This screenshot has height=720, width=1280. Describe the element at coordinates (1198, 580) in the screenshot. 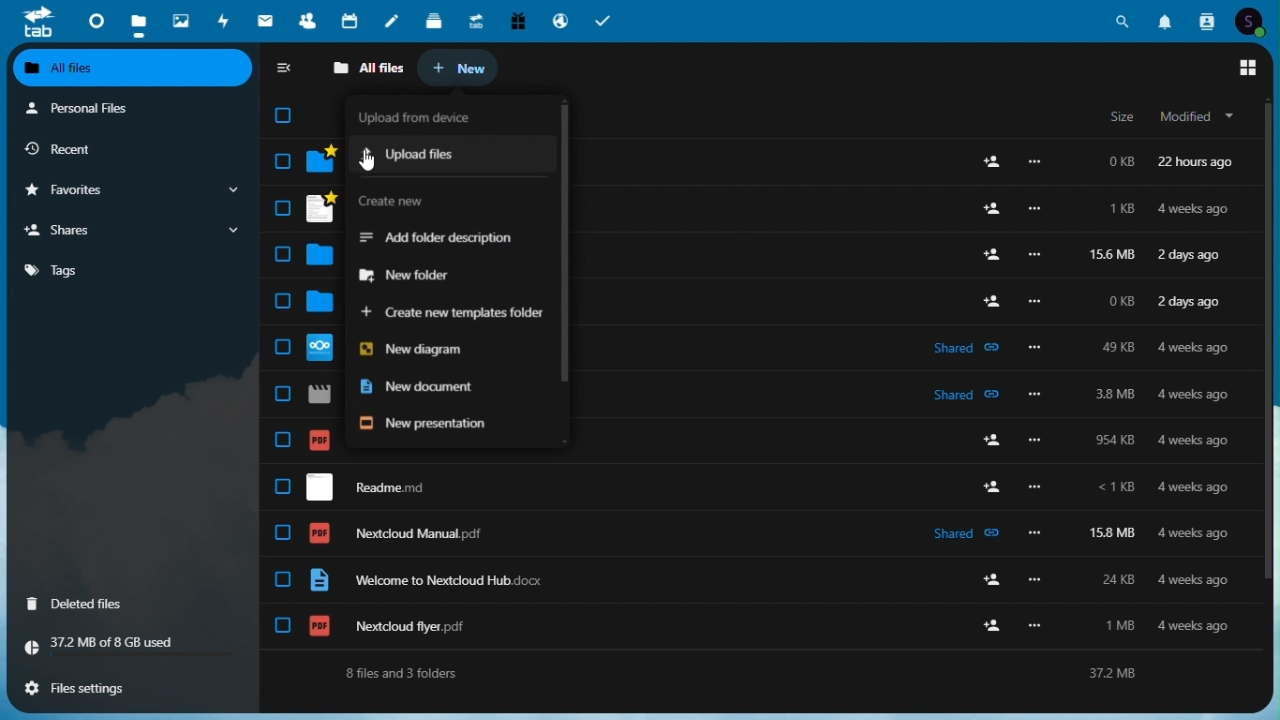

I see `4 weeks ago` at that location.